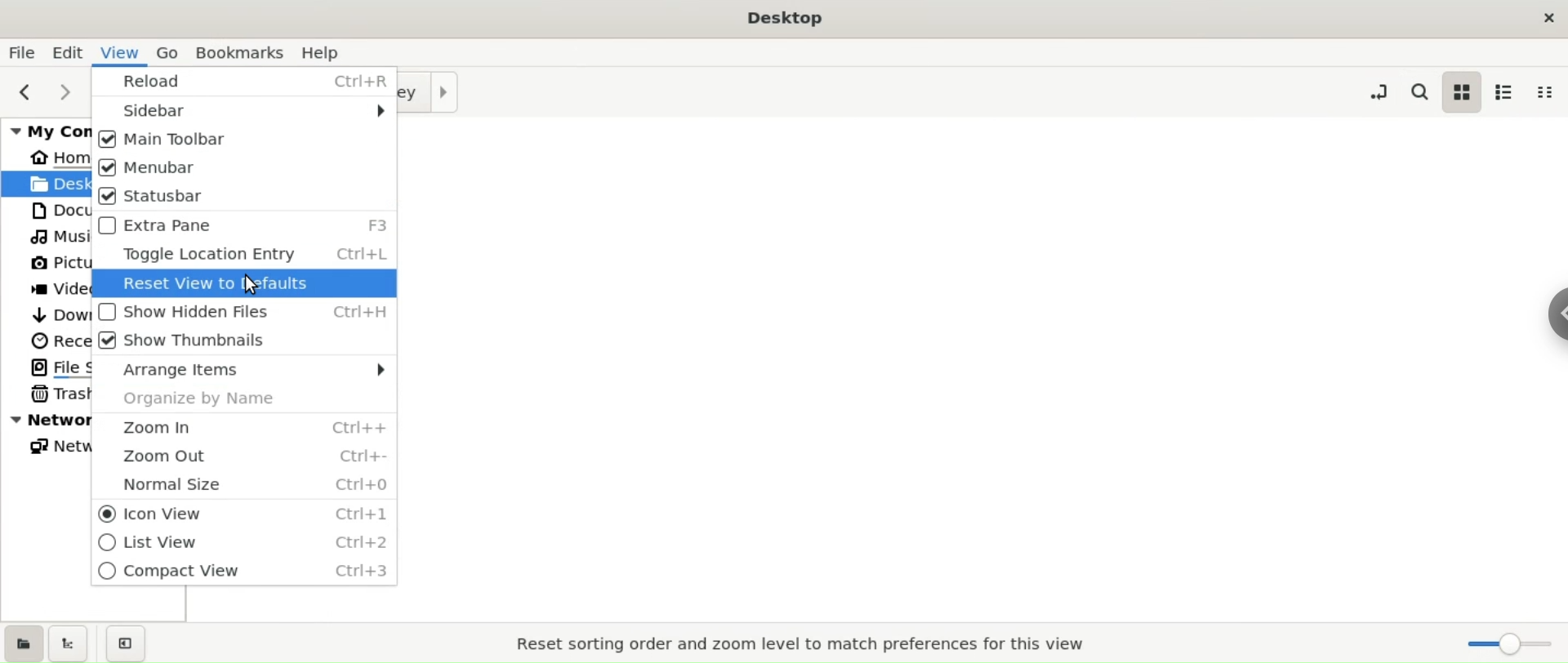 The width and height of the screenshot is (1568, 663). I want to click on icon view, so click(245, 512).